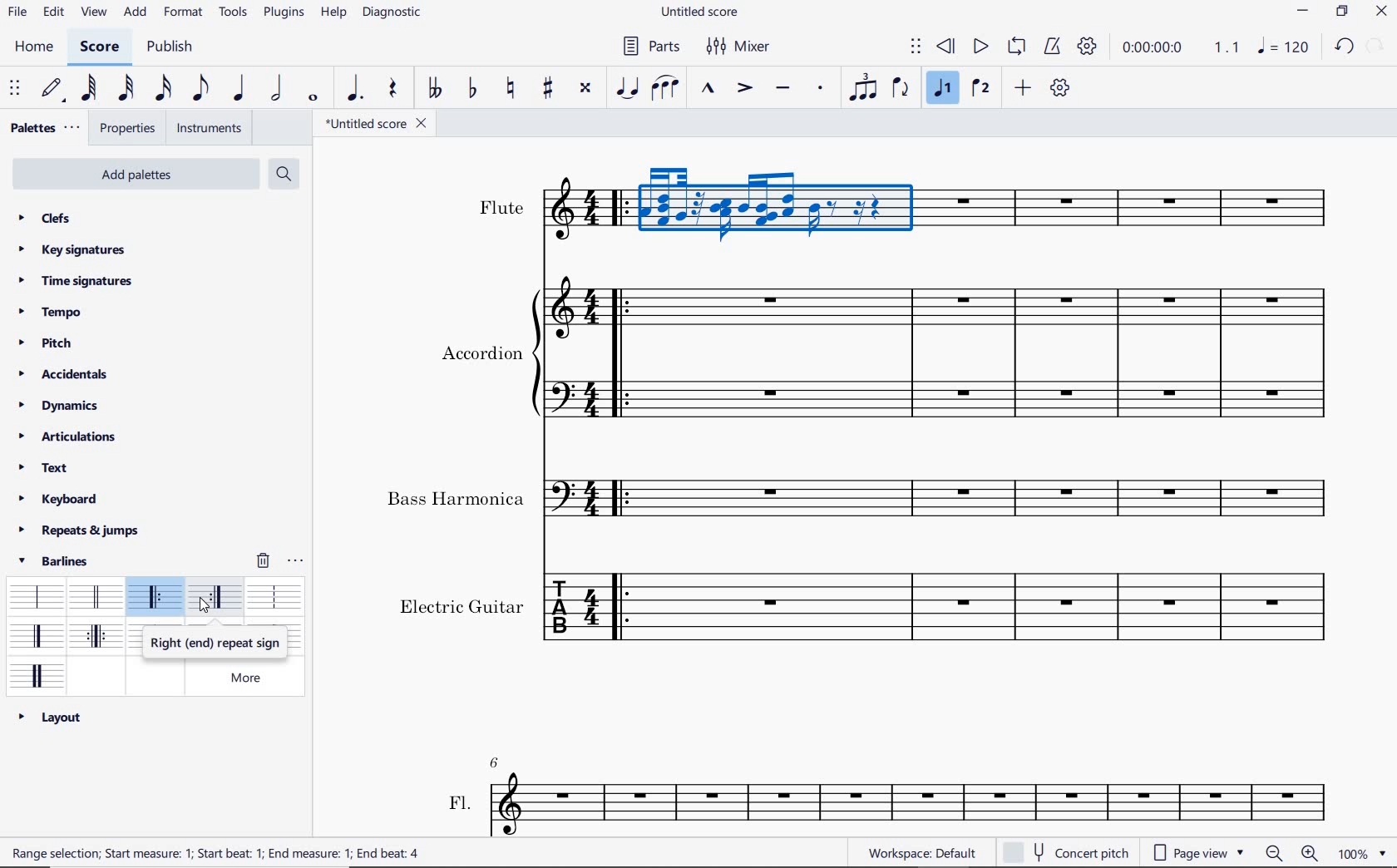  I want to click on augmentation dot, so click(352, 89).